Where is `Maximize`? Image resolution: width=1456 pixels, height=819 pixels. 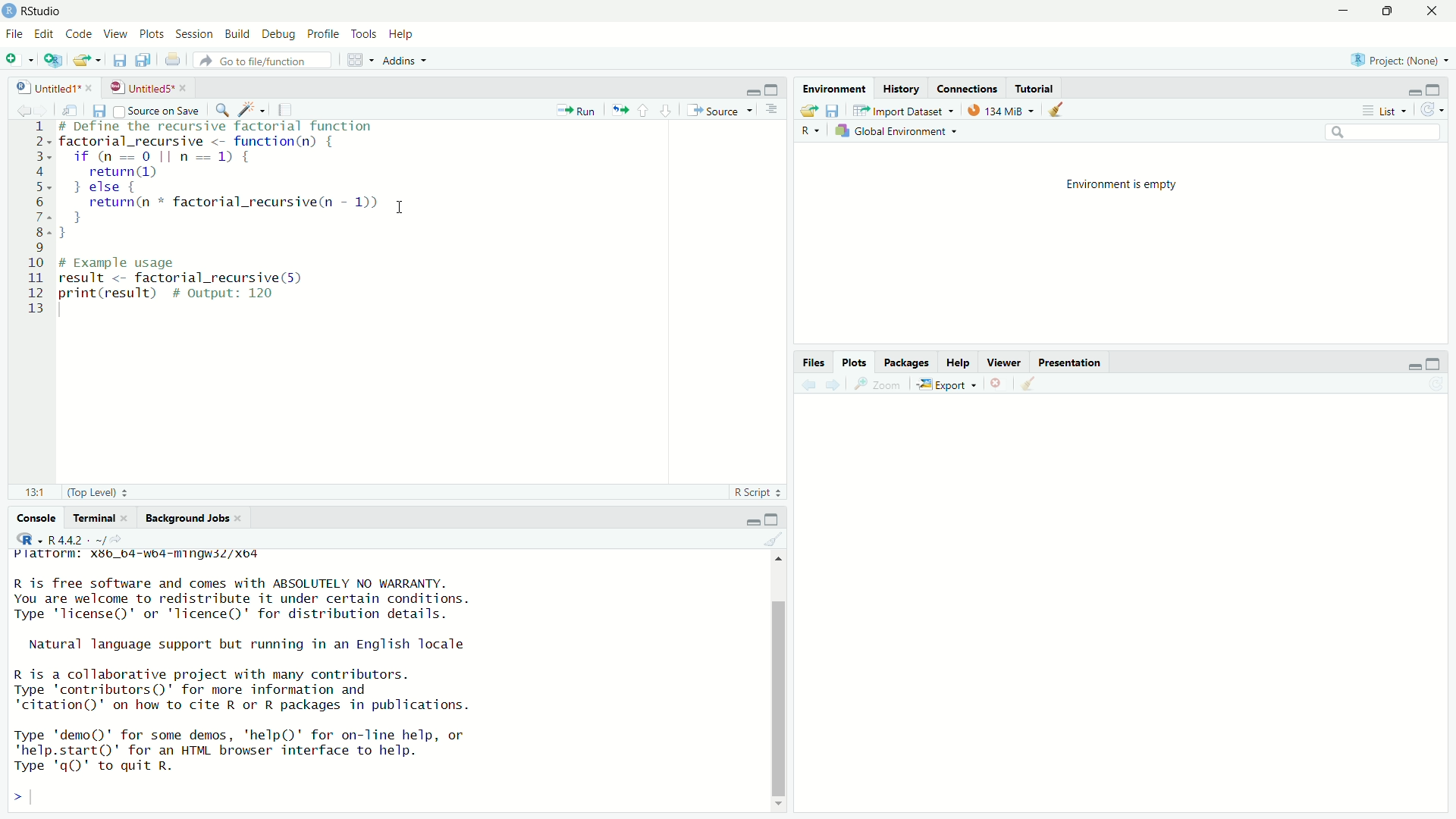 Maximize is located at coordinates (1384, 12).